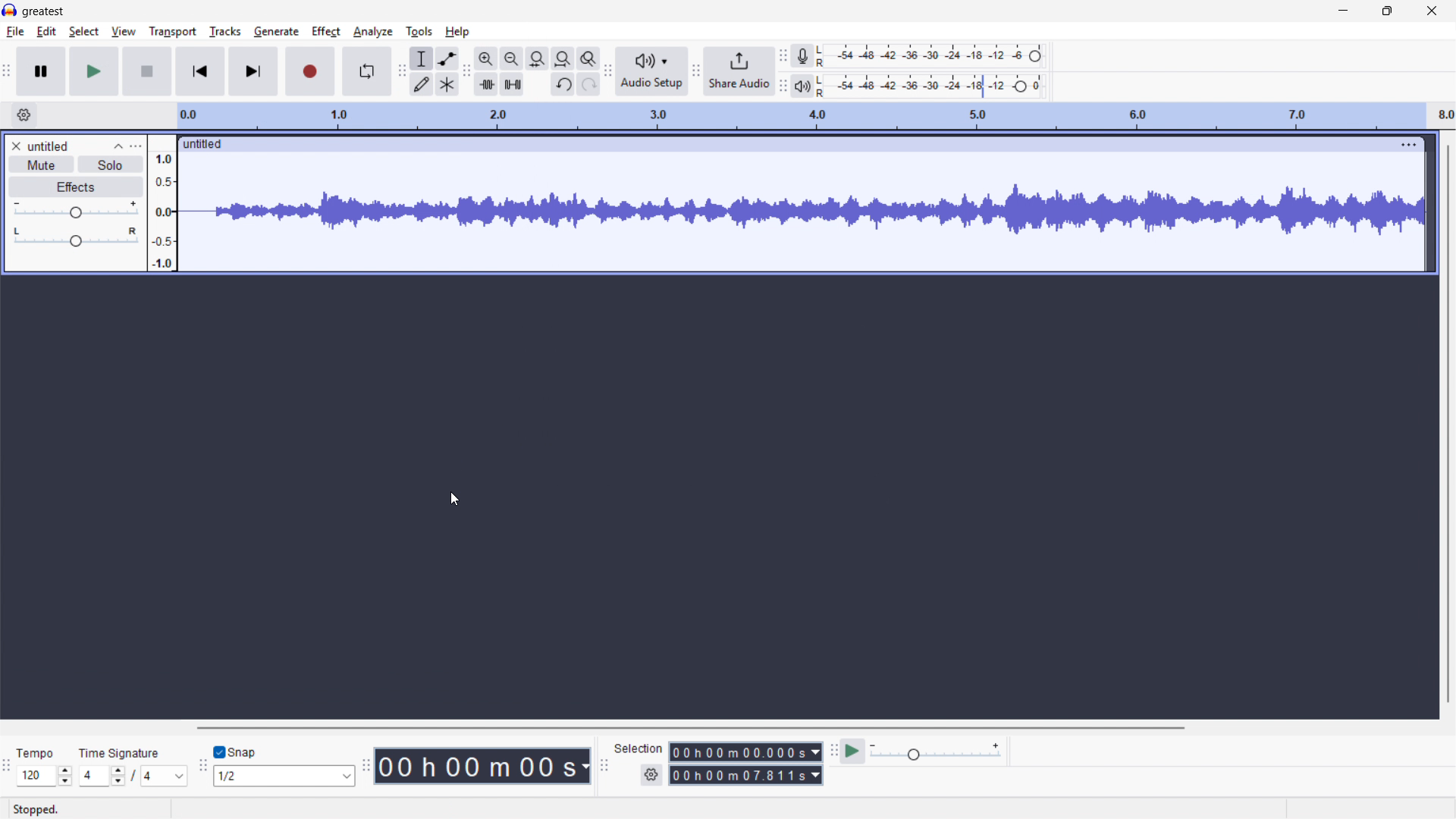  Describe the element at coordinates (563, 59) in the screenshot. I see `fit project to width` at that location.